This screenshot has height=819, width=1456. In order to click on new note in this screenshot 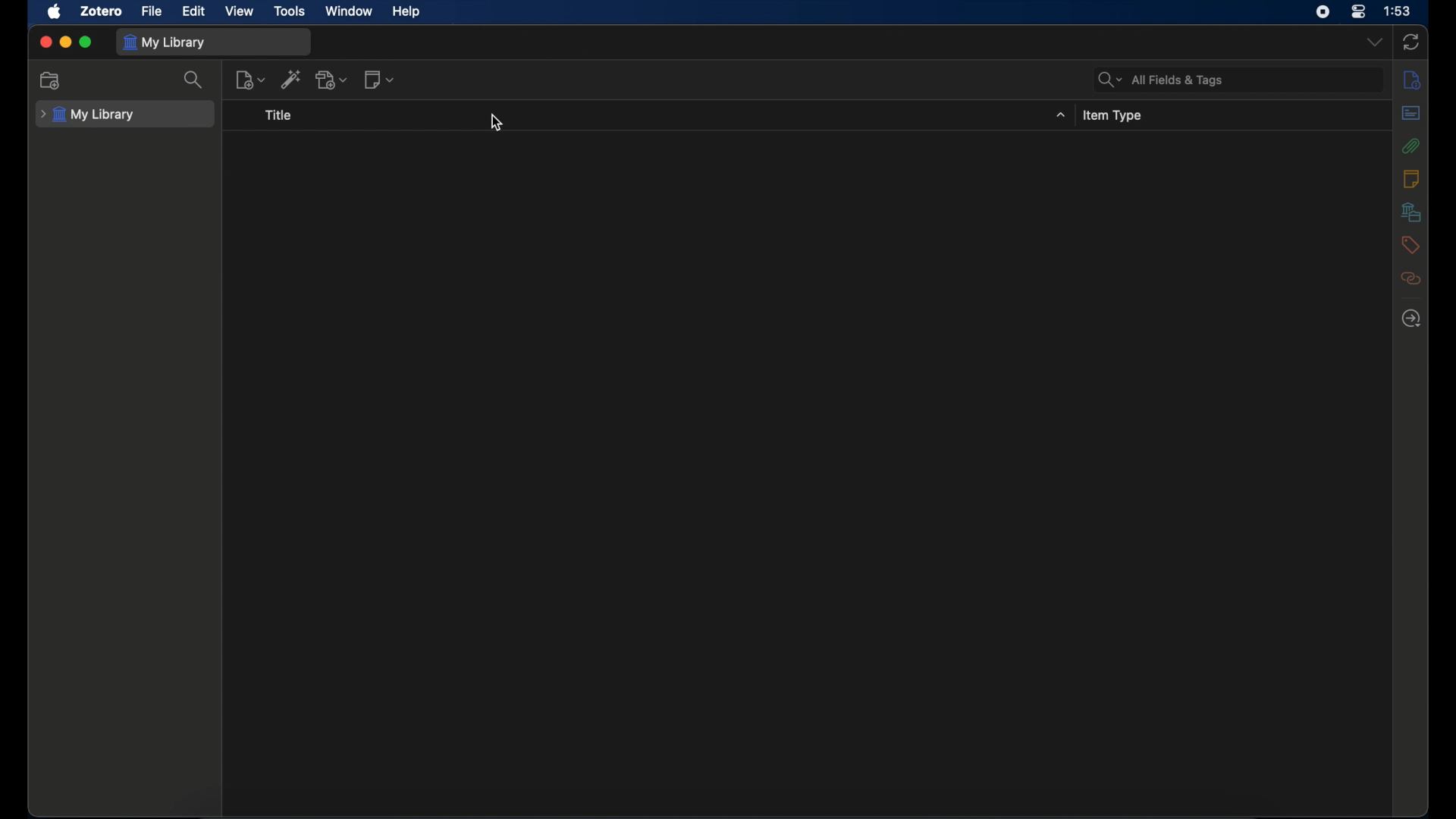, I will do `click(379, 80)`.